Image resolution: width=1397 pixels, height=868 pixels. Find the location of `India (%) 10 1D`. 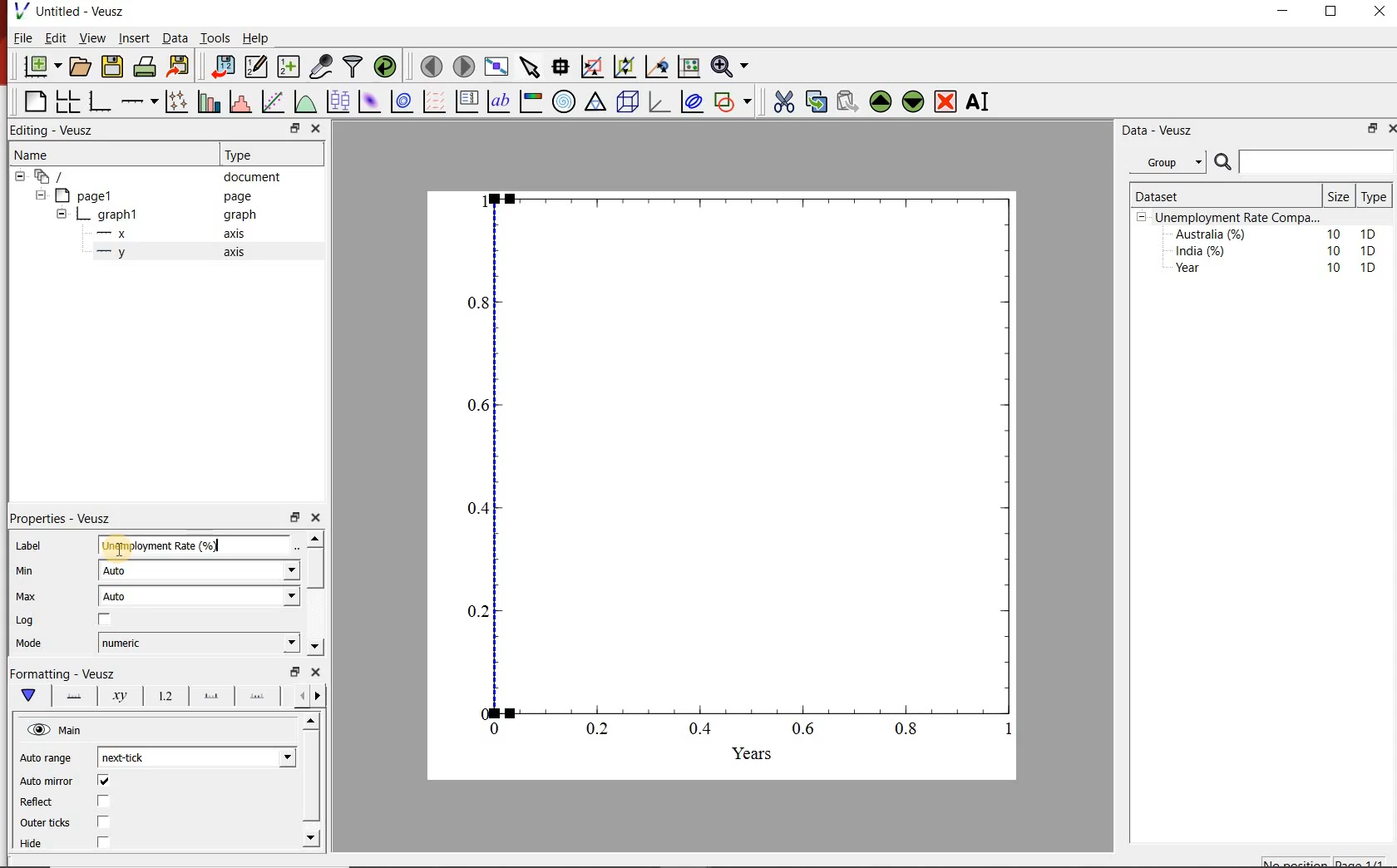

India (%) 10 1D is located at coordinates (1277, 250).